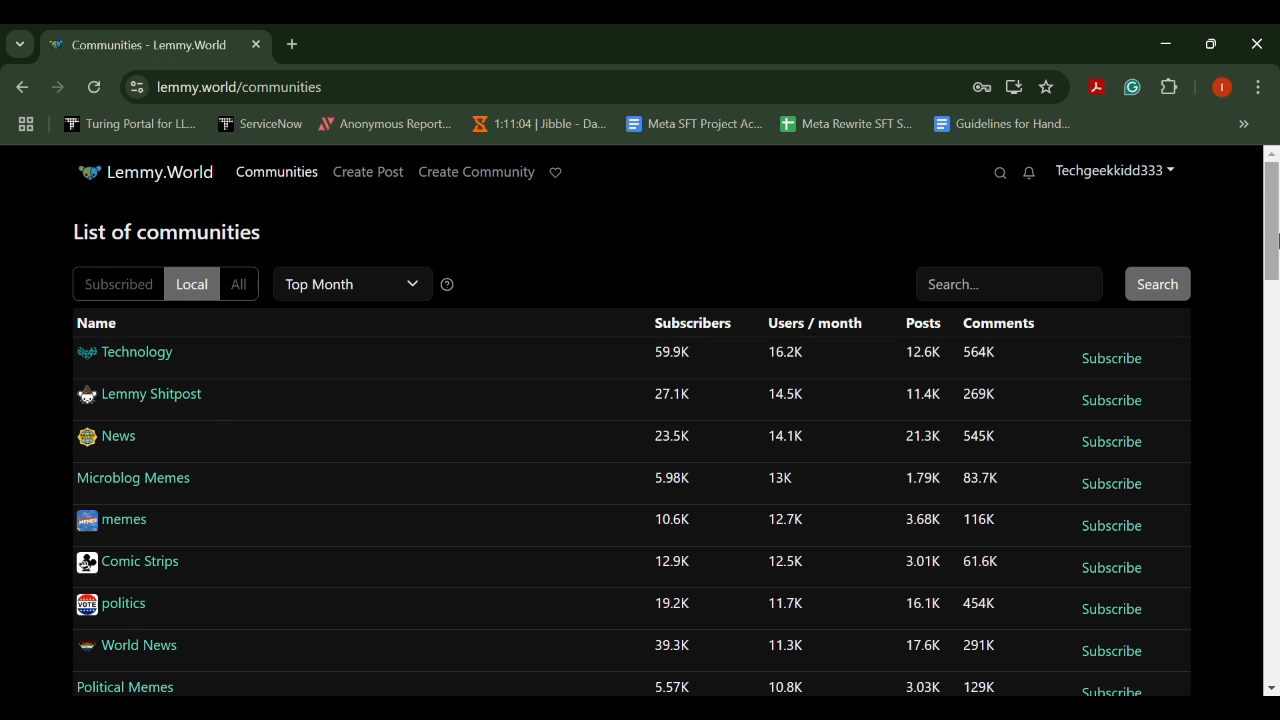  Describe the element at coordinates (191, 283) in the screenshot. I see `Local Filter Selected` at that location.